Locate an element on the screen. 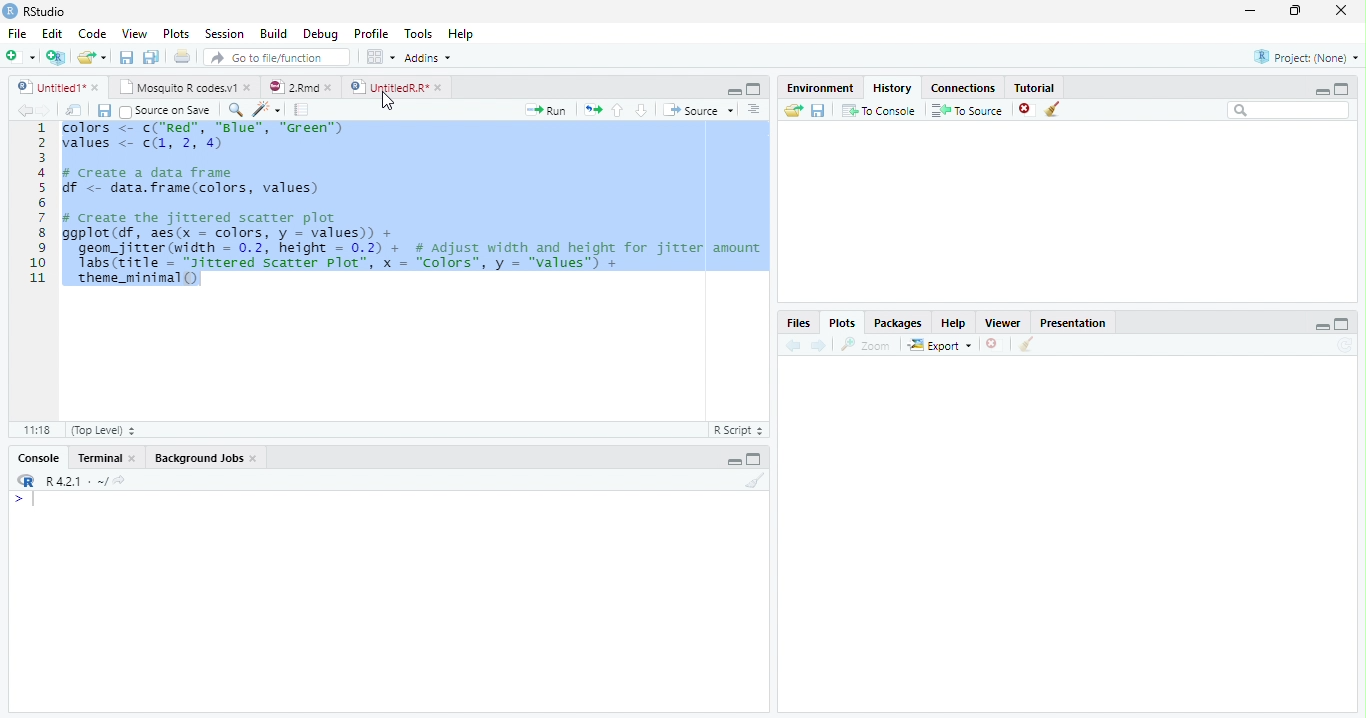 The width and height of the screenshot is (1366, 718). Connections is located at coordinates (963, 88).